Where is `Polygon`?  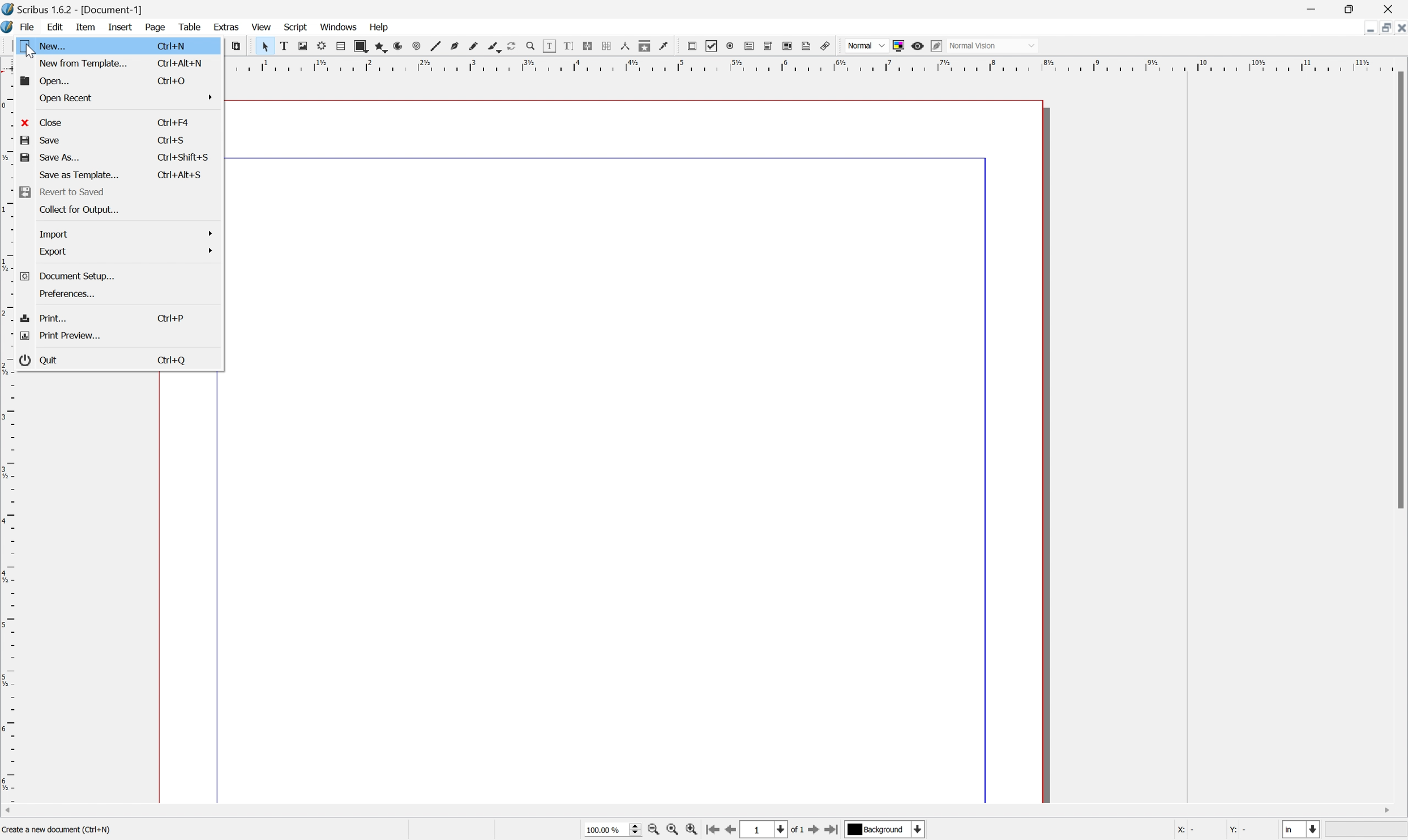
Polygon is located at coordinates (378, 46).